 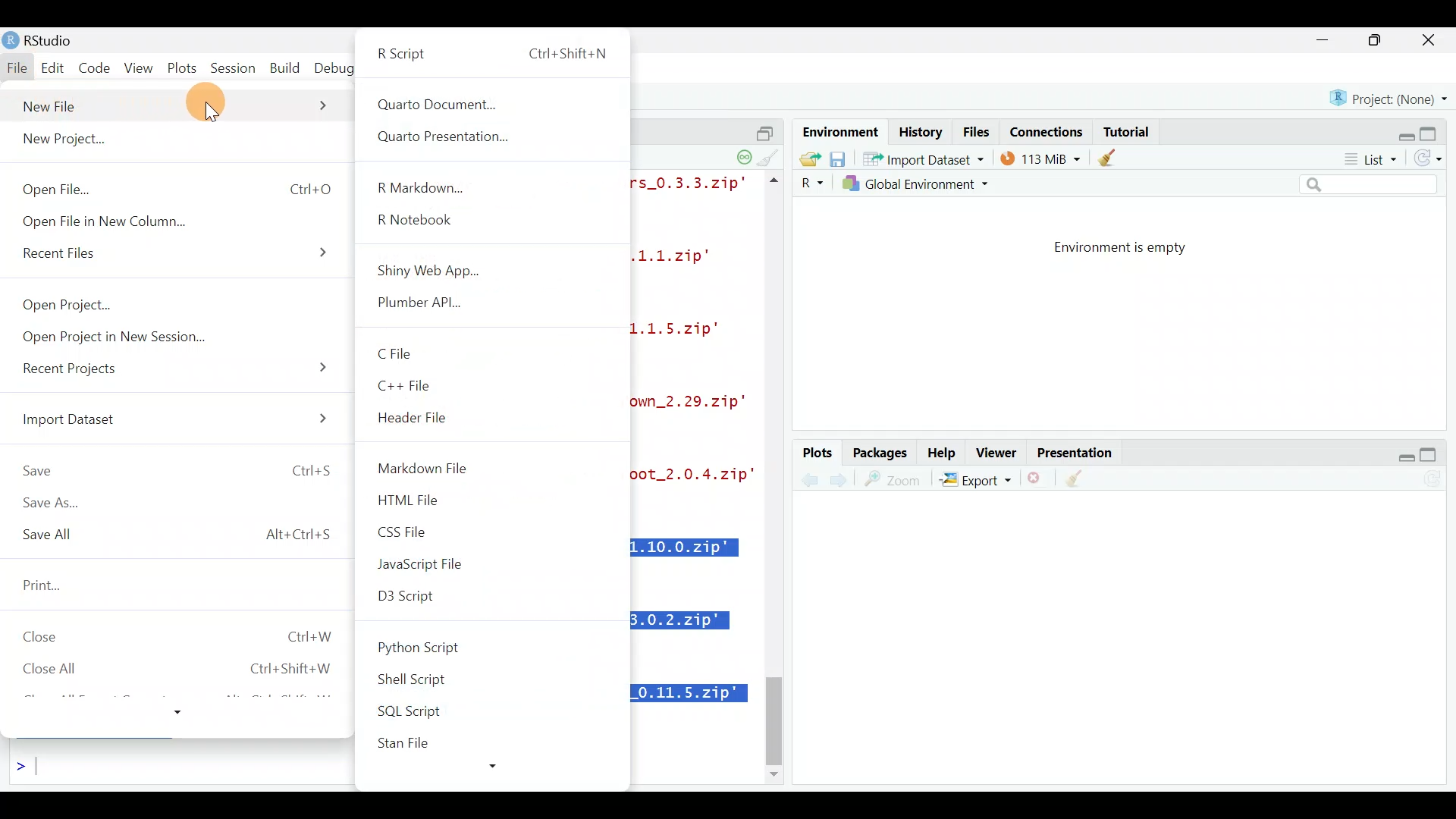 I want to click on Header File, so click(x=425, y=421).